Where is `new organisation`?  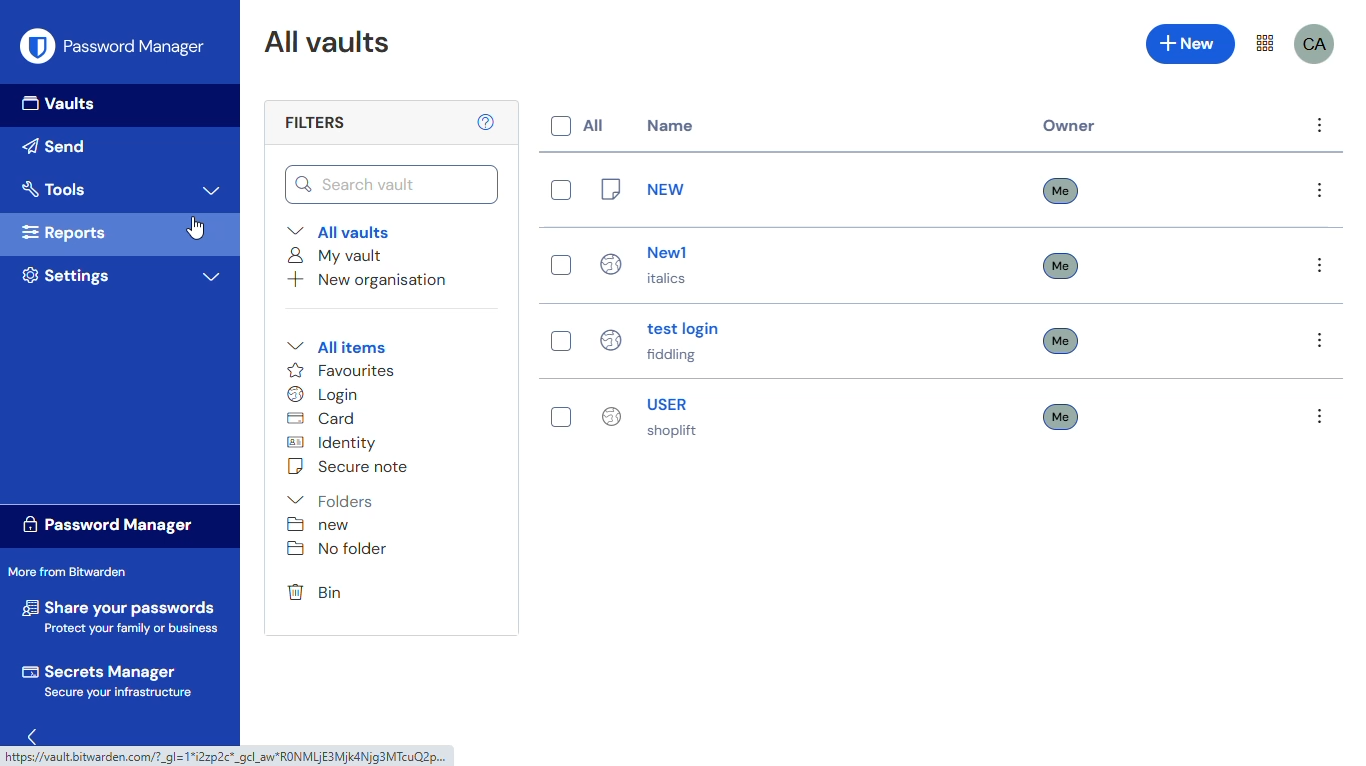
new organisation is located at coordinates (369, 280).